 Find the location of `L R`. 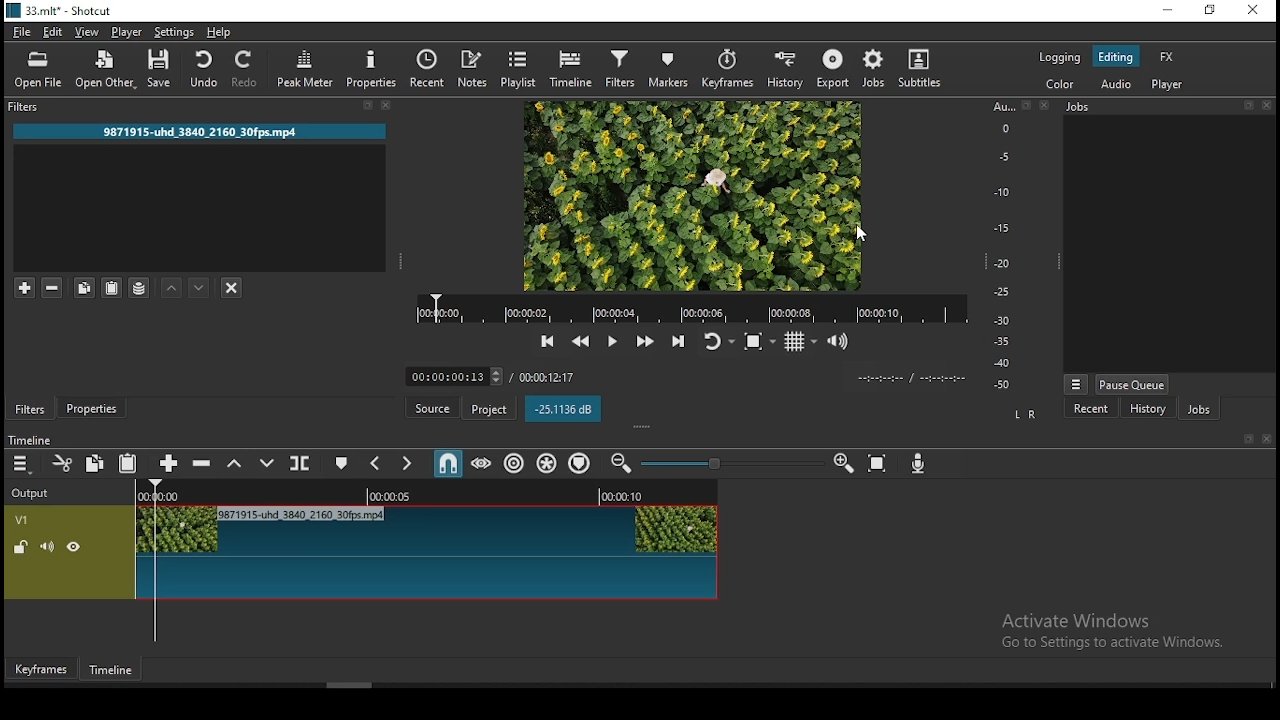

L R is located at coordinates (1025, 415).